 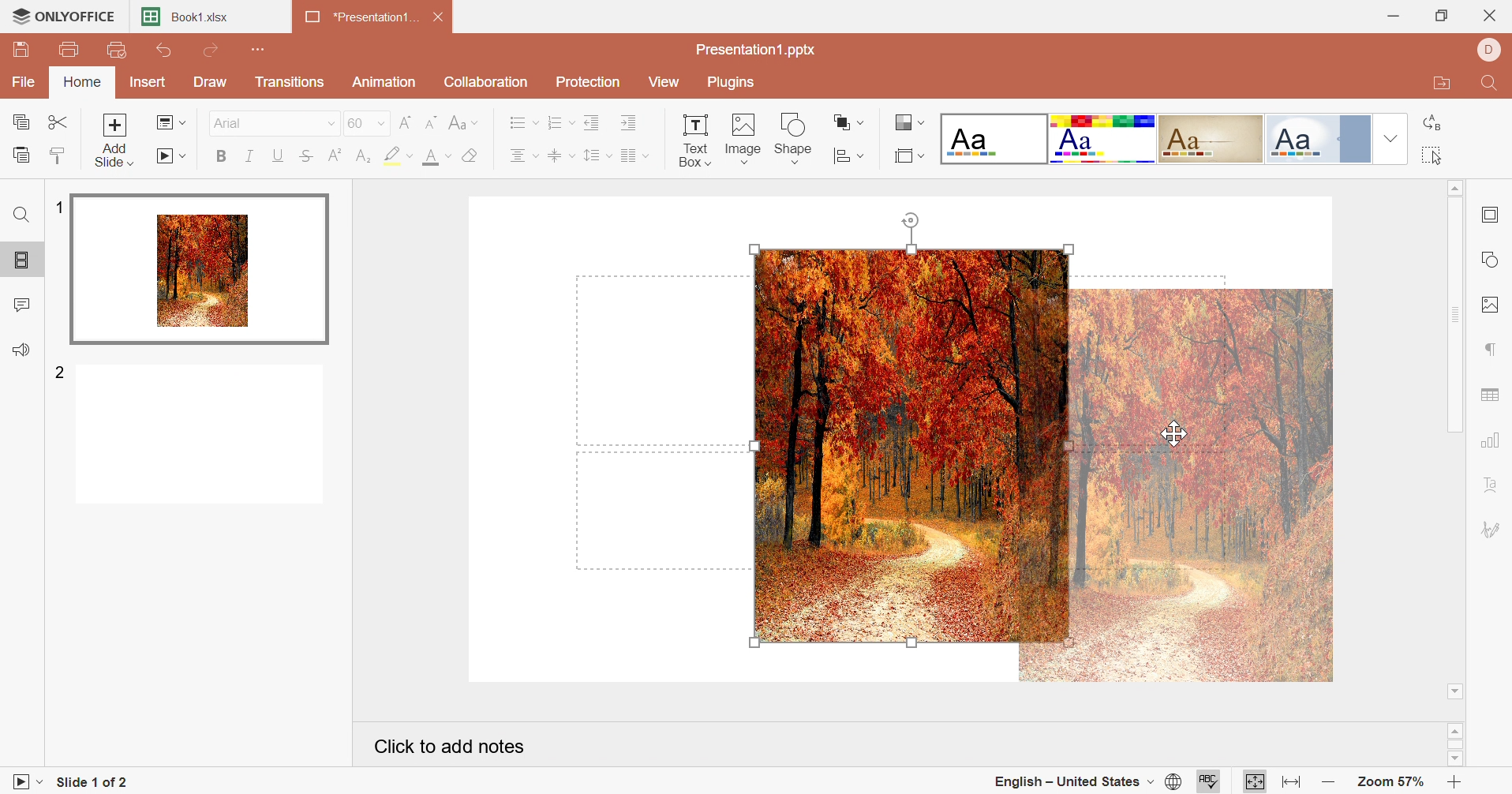 What do you see at coordinates (907, 157) in the screenshot?
I see `Select slide size` at bounding box center [907, 157].